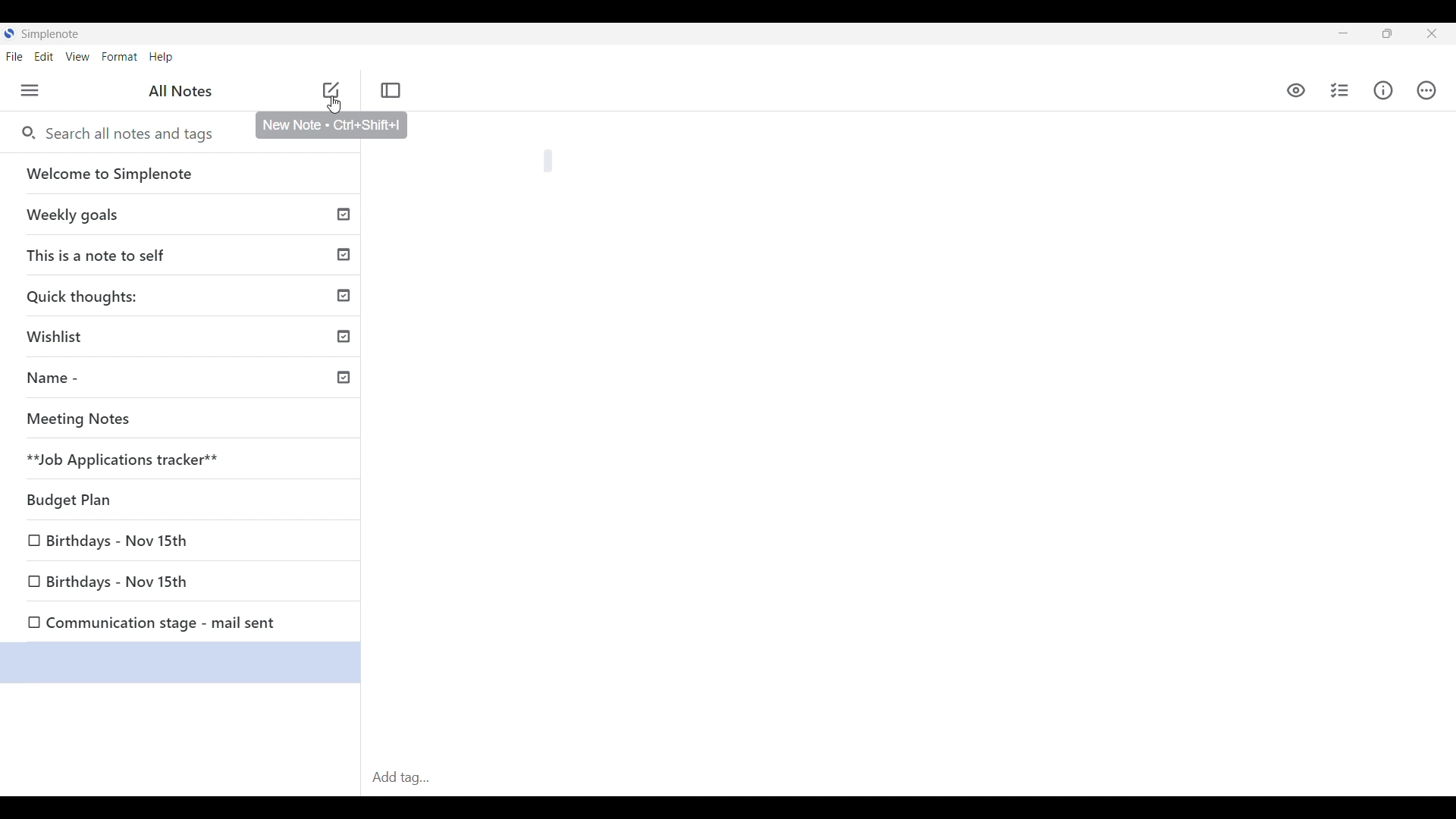  What do you see at coordinates (1431, 33) in the screenshot?
I see `Close` at bounding box center [1431, 33].